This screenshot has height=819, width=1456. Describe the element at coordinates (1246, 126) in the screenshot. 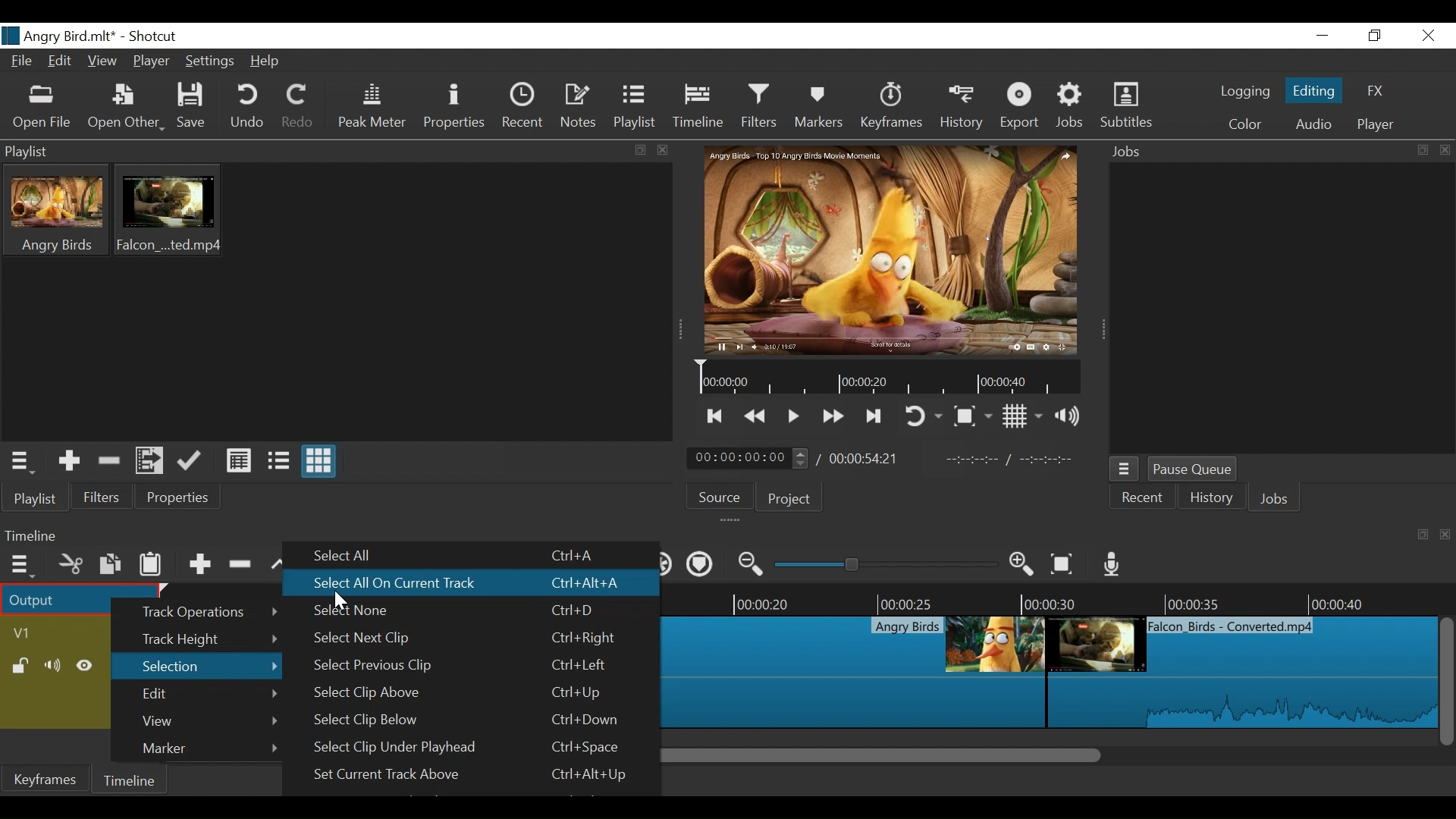

I see `Color` at that location.